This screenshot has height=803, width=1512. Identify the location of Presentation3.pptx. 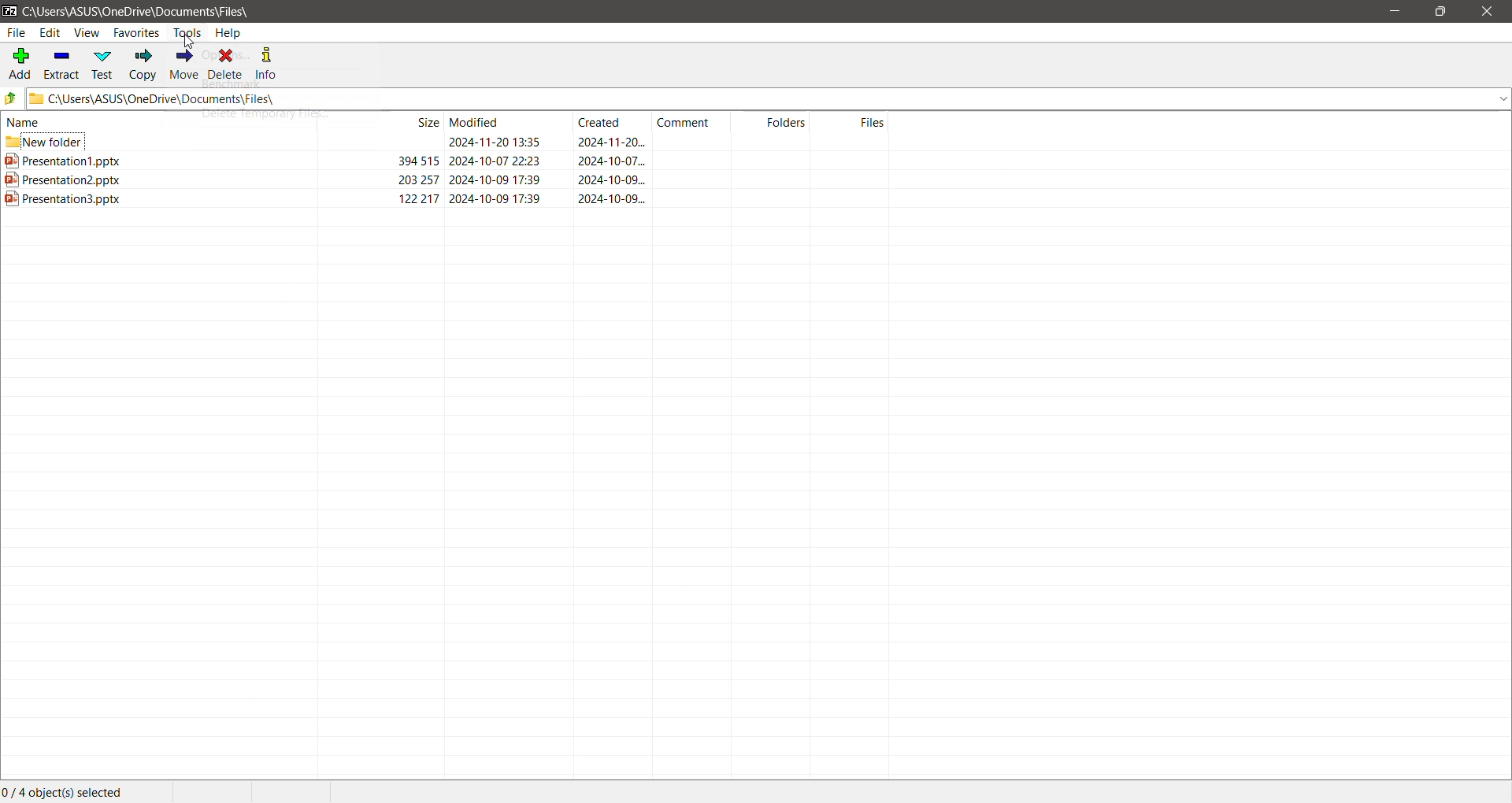
(455, 202).